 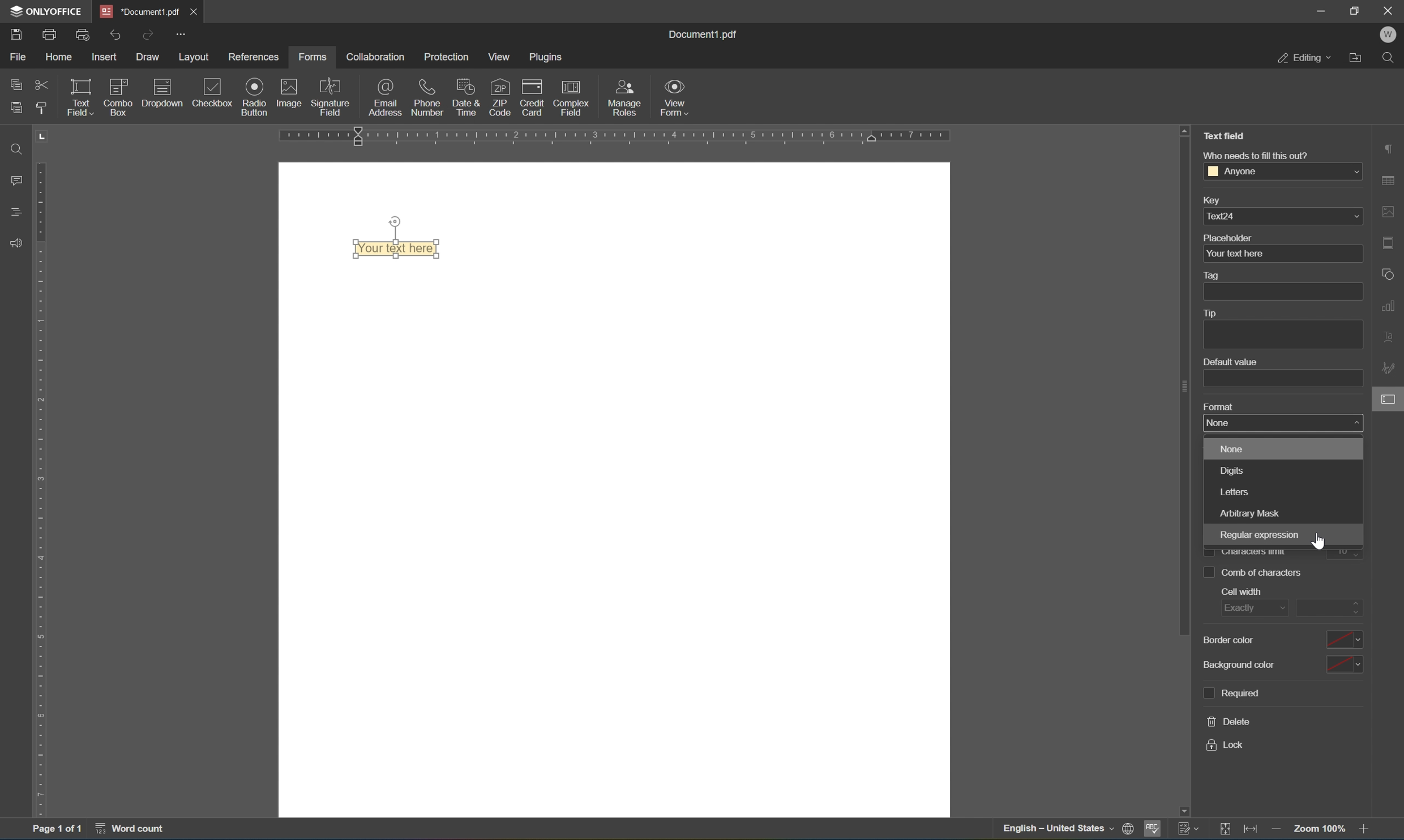 I want to click on minimize, so click(x=1320, y=10).